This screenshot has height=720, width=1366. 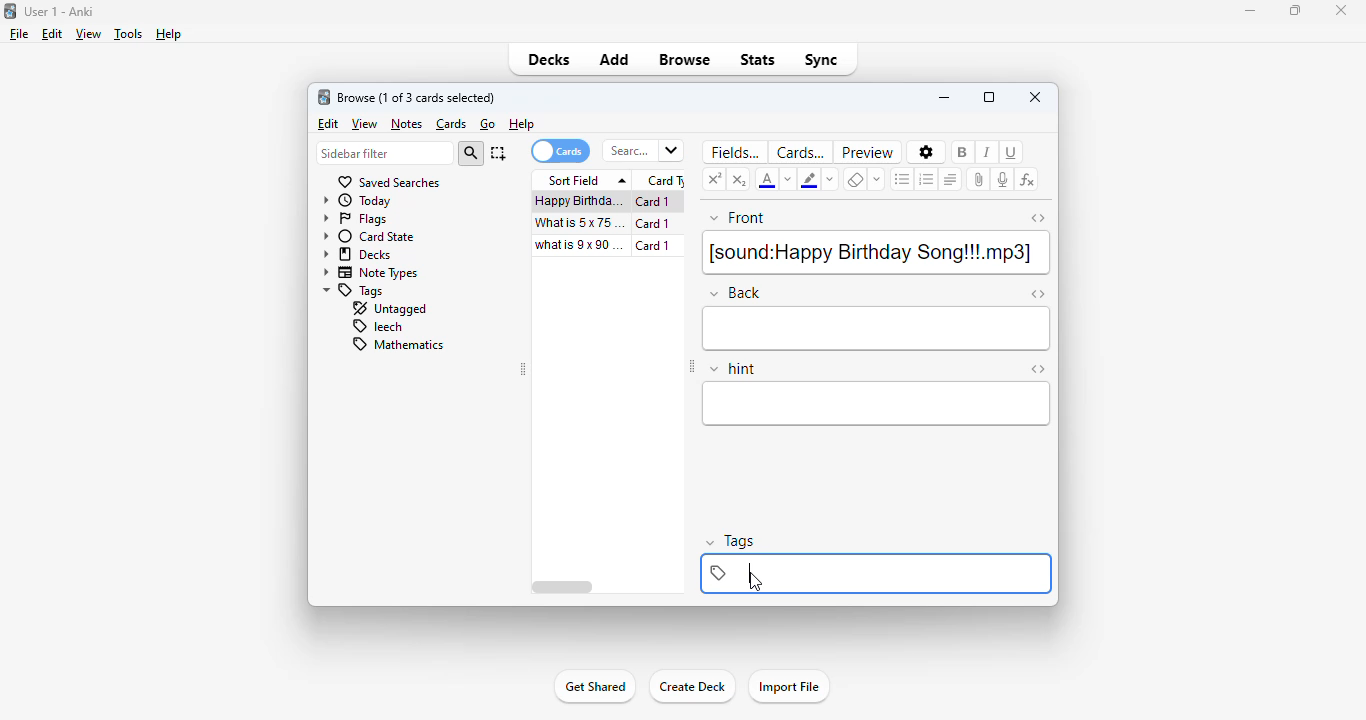 What do you see at coordinates (944, 97) in the screenshot?
I see `minimize` at bounding box center [944, 97].